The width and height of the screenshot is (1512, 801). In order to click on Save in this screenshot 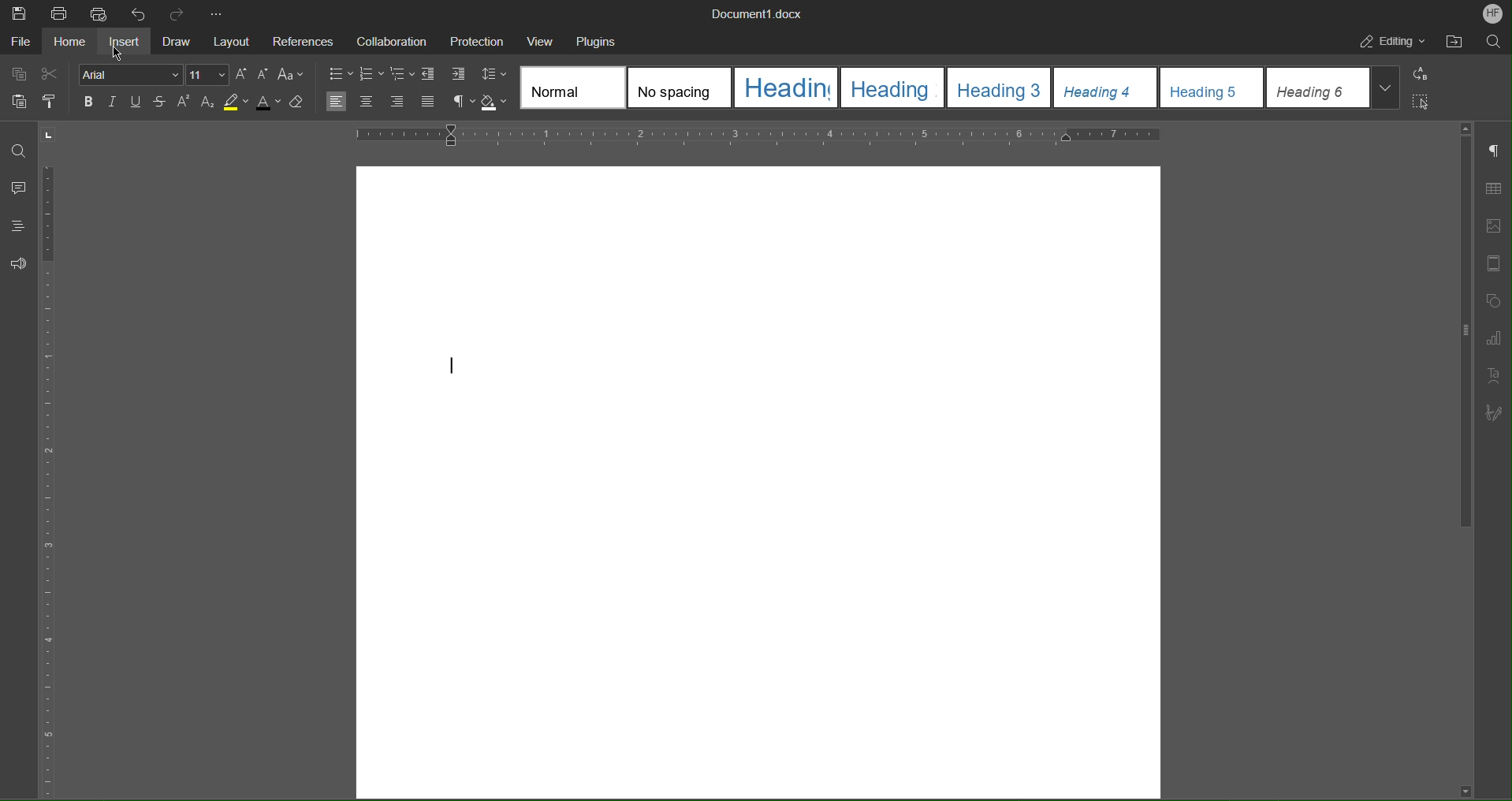, I will do `click(18, 12)`.